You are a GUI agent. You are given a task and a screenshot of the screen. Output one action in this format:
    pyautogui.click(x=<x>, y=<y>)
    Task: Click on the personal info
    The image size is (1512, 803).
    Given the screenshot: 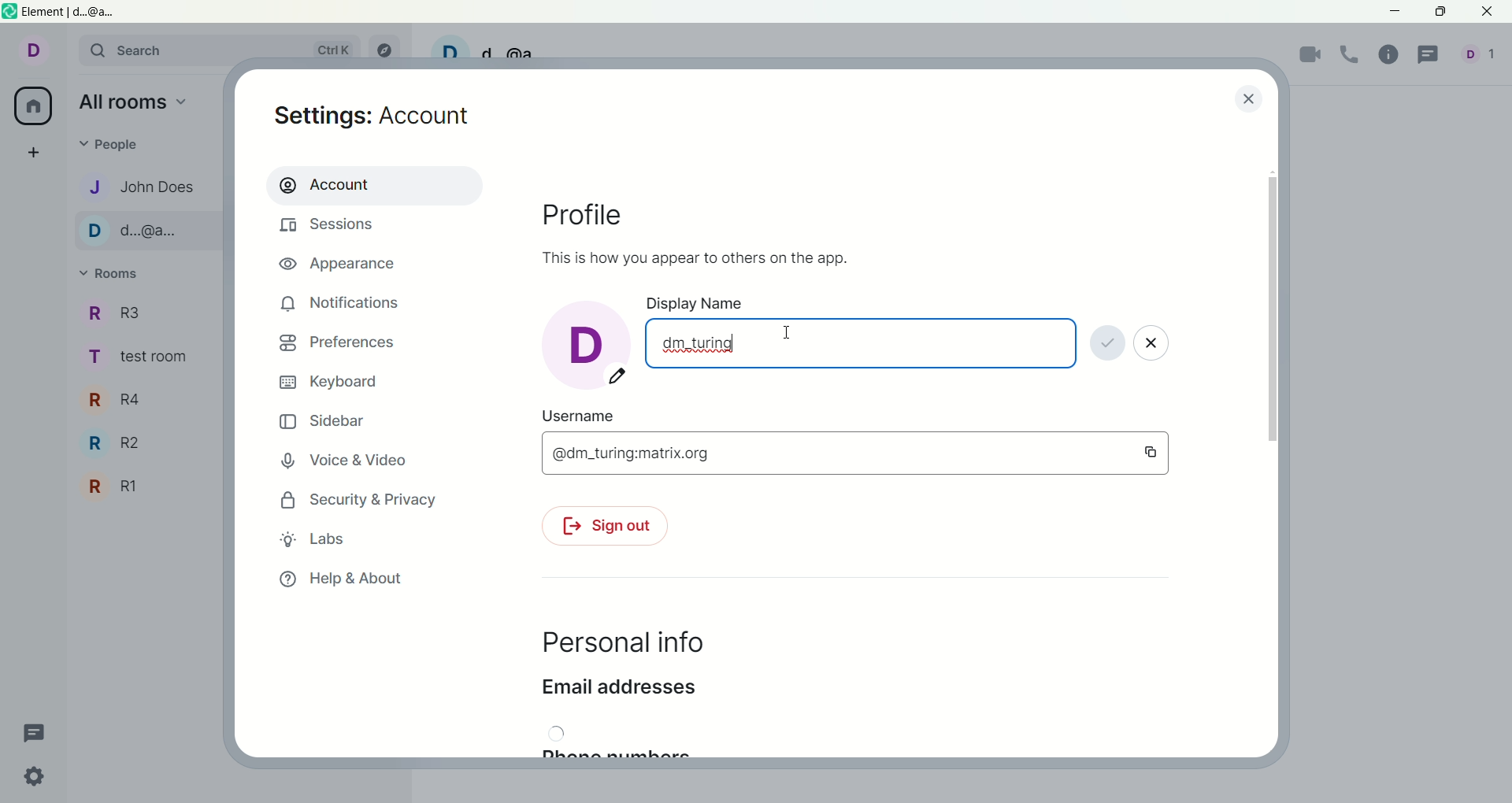 What is the action you would take?
    pyautogui.click(x=621, y=644)
    